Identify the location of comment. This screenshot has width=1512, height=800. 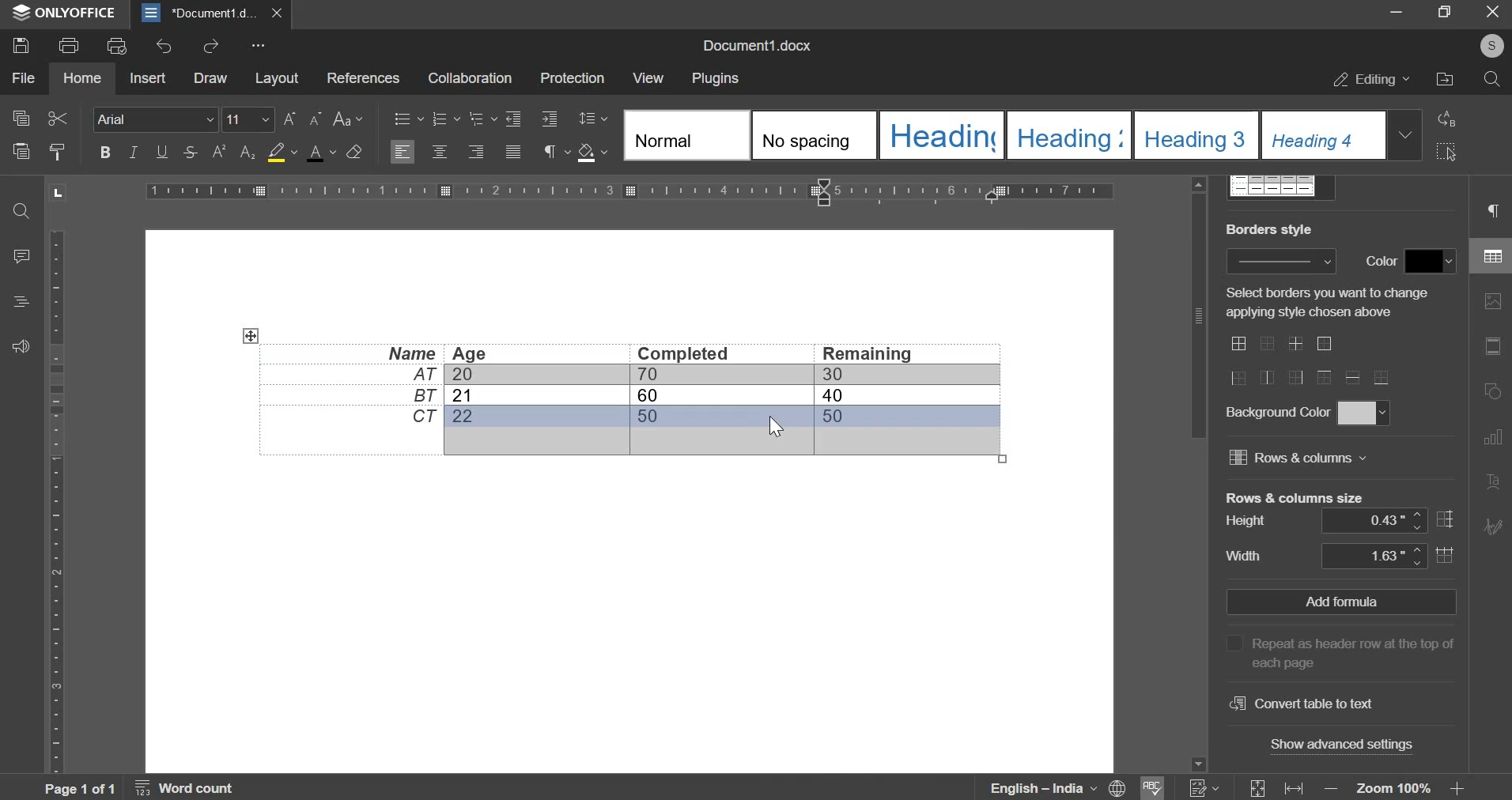
(25, 257).